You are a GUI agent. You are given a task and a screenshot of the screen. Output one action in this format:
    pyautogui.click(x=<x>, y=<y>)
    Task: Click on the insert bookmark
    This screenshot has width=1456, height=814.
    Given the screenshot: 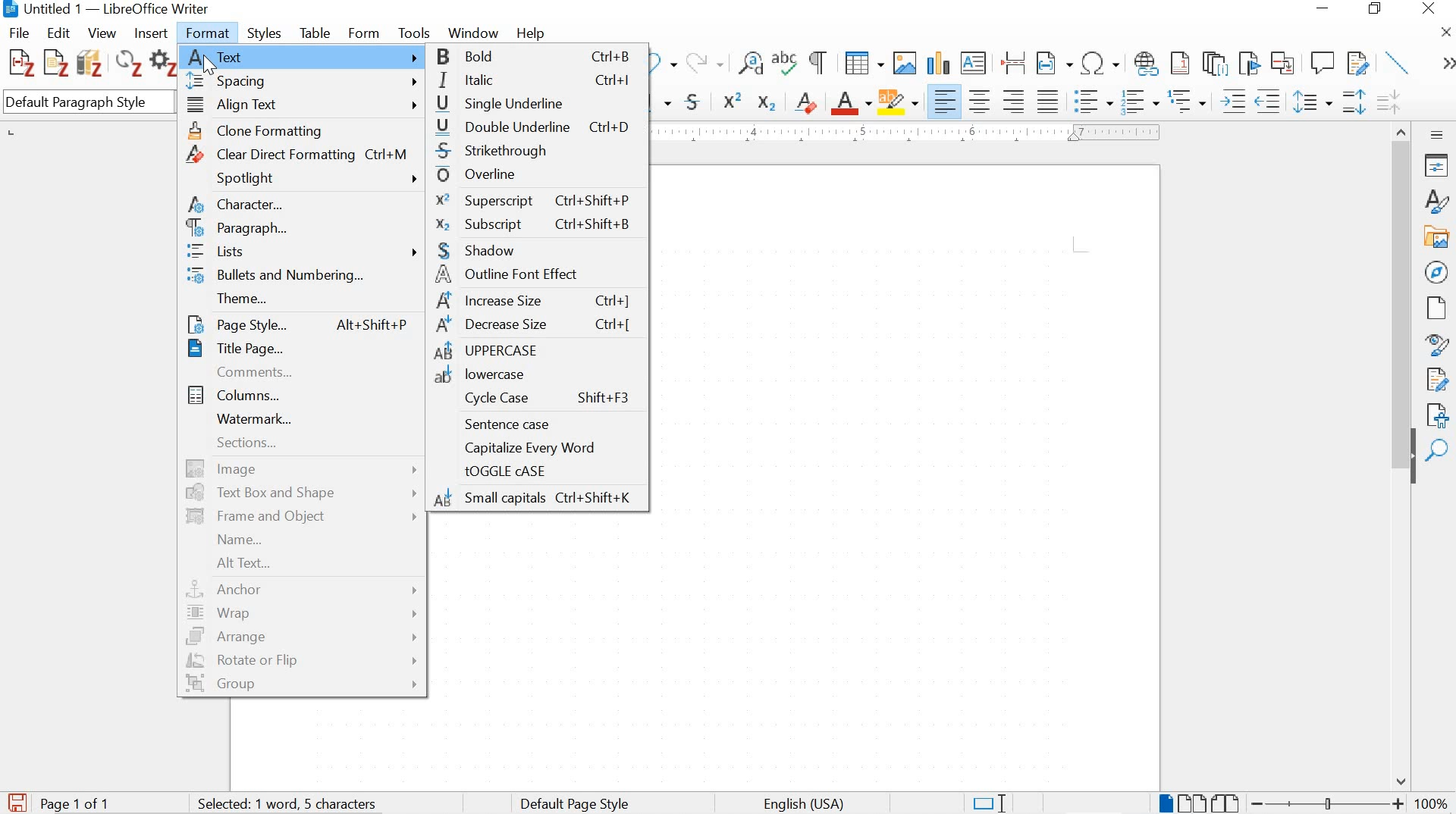 What is the action you would take?
    pyautogui.click(x=1247, y=63)
    